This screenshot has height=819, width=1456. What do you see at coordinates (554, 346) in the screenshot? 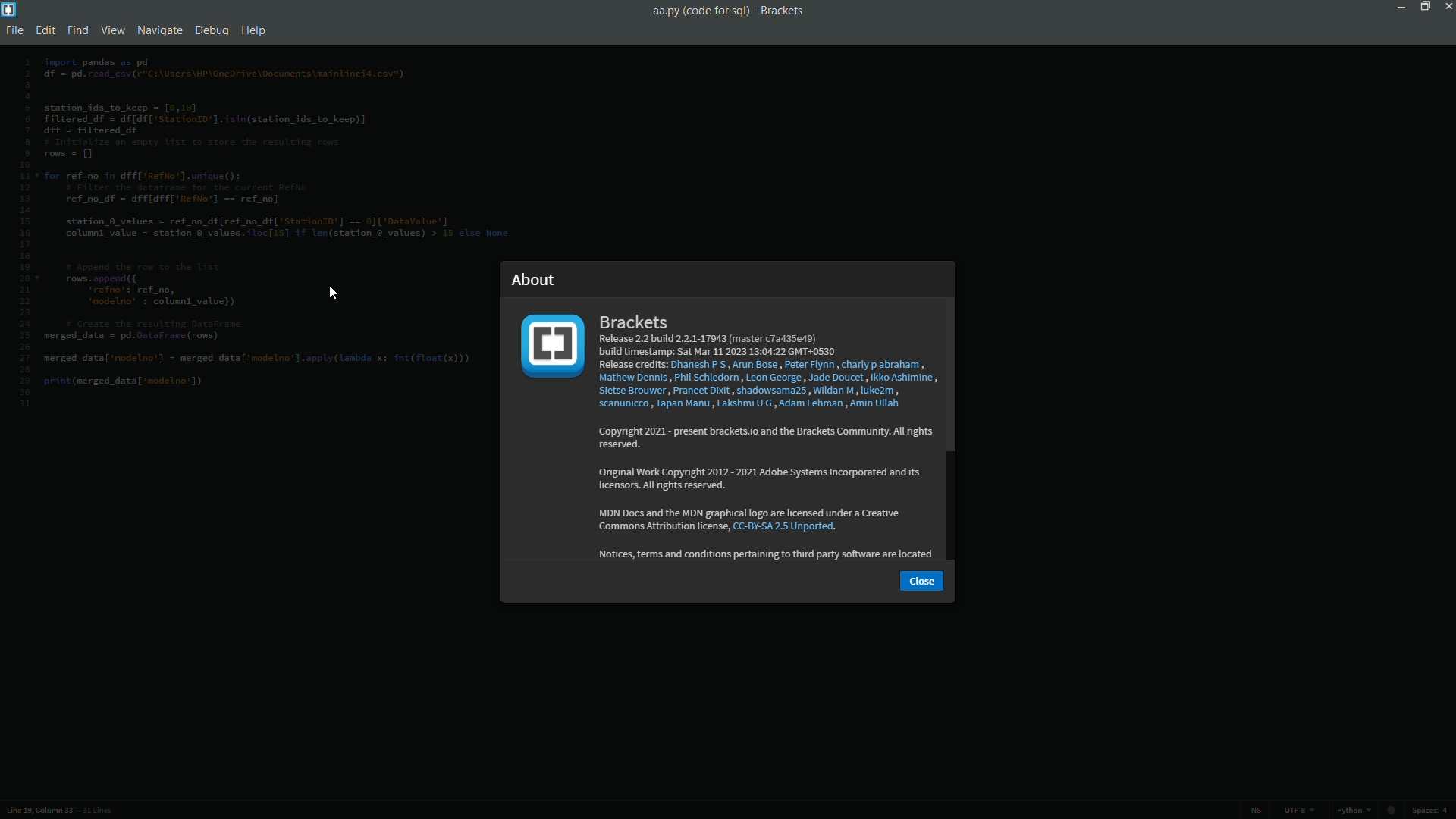
I see `app logo` at bounding box center [554, 346].